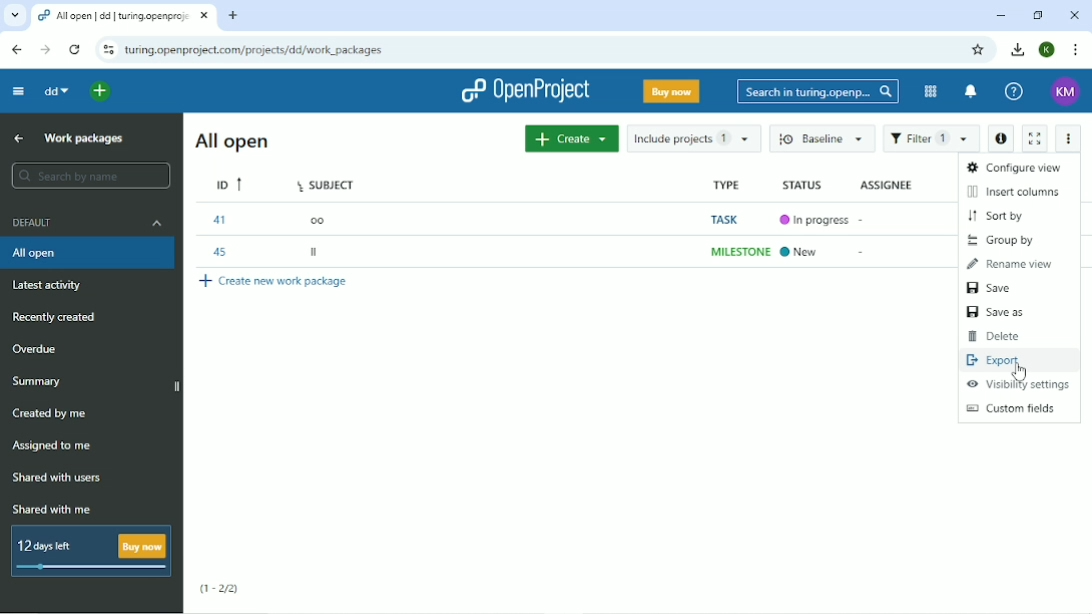 This screenshot has width=1092, height=614. What do you see at coordinates (1026, 374) in the screenshot?
I see `cursor` at bounding box center [1026, 374].